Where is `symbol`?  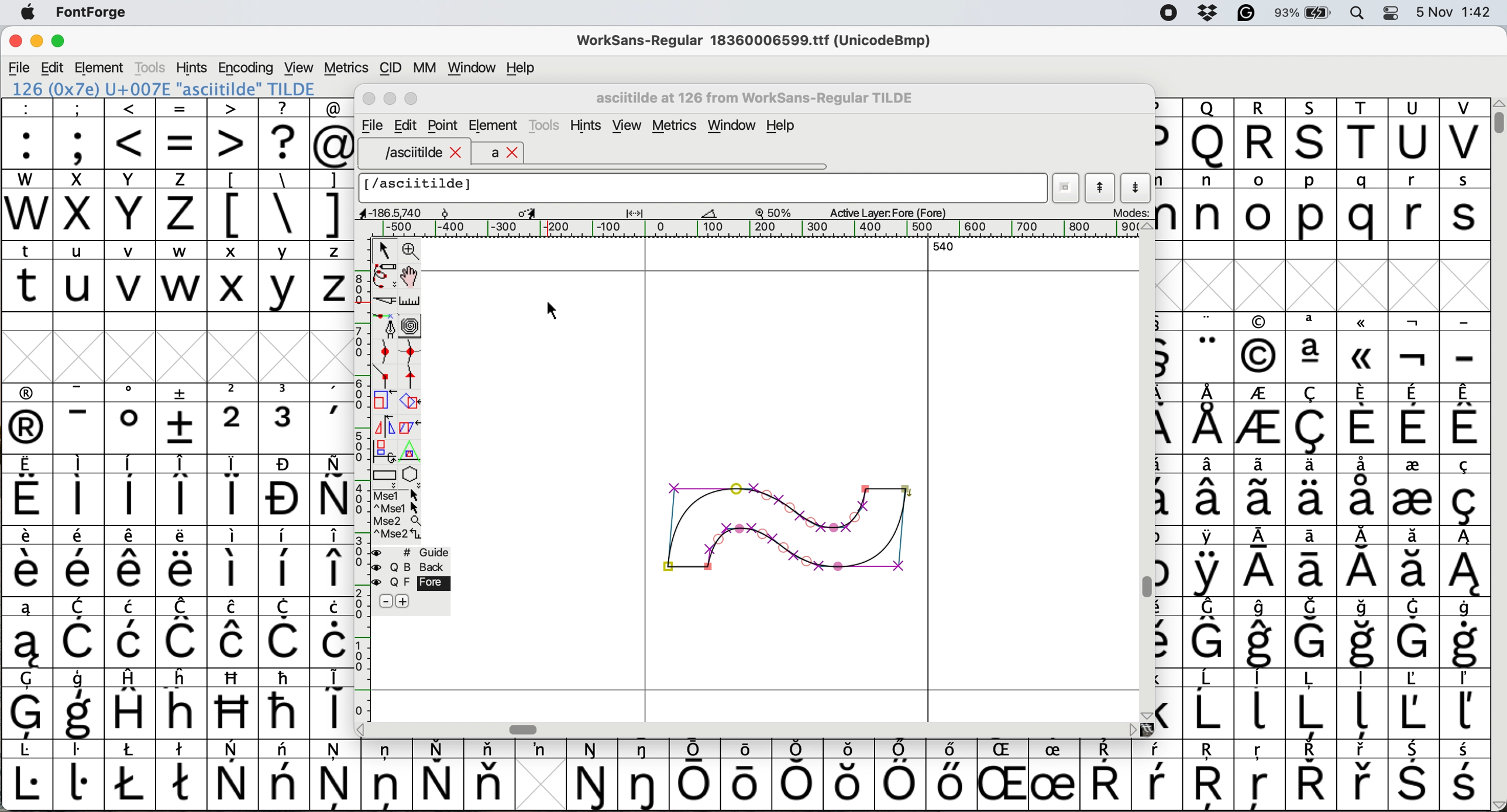 symbol is located at coordinates (1315, 489).